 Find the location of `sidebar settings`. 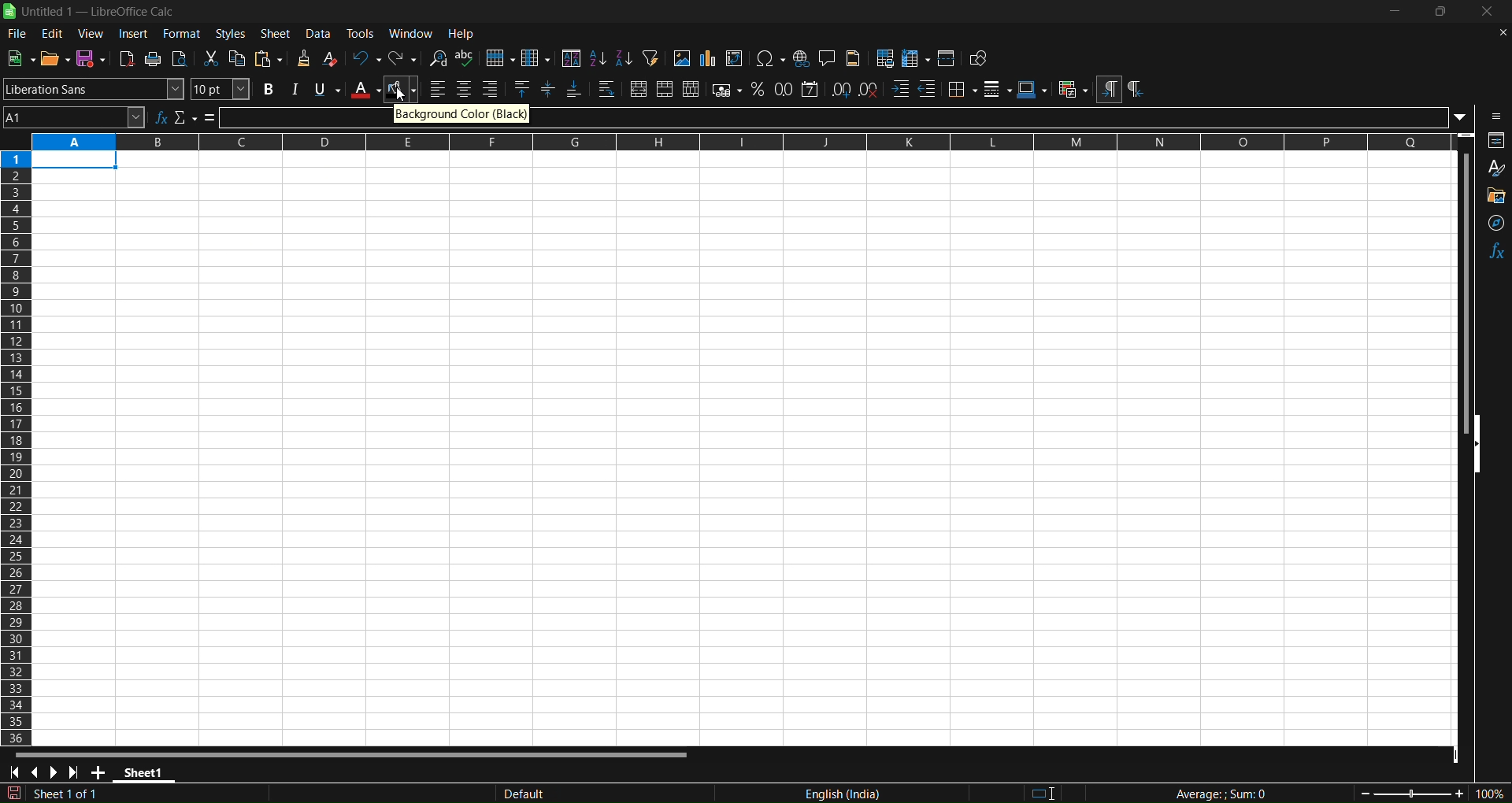

sidebar settings is located at coordinates (1492, 117).